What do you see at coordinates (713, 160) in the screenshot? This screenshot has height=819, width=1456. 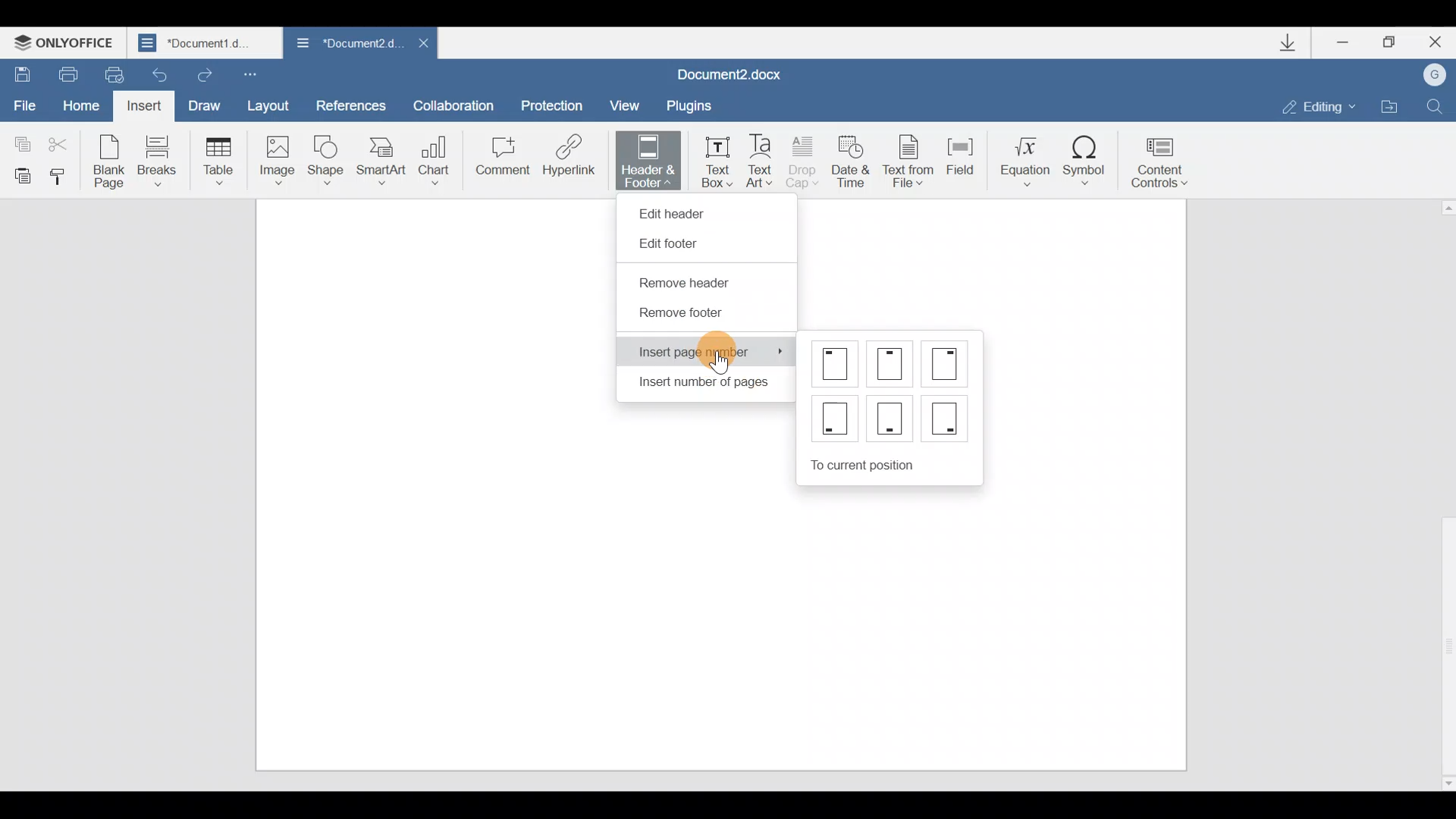 I see `Text box` at bounding box center [713, 160].